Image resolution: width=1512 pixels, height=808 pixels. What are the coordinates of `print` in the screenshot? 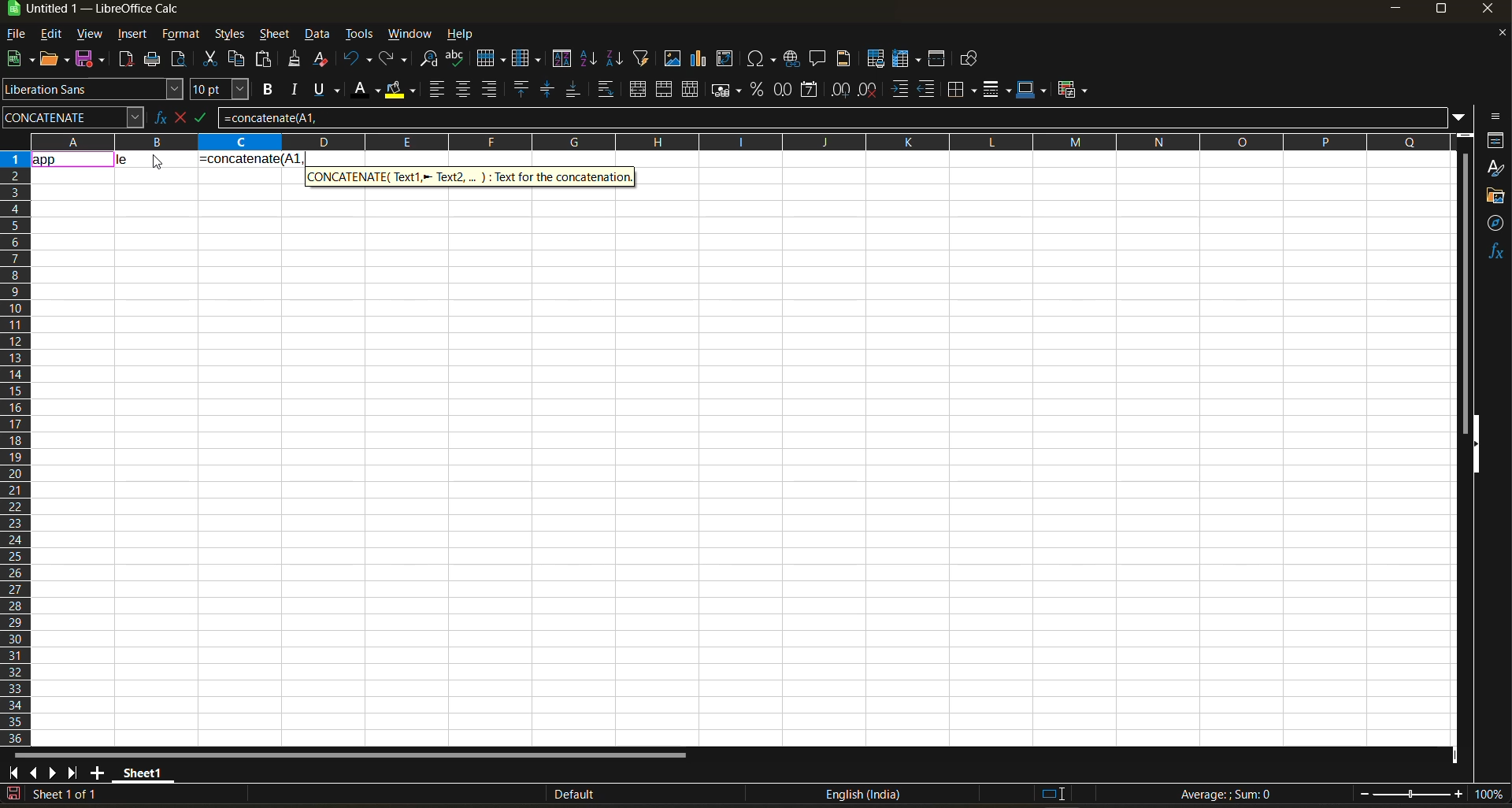 It's located at (152, 60).